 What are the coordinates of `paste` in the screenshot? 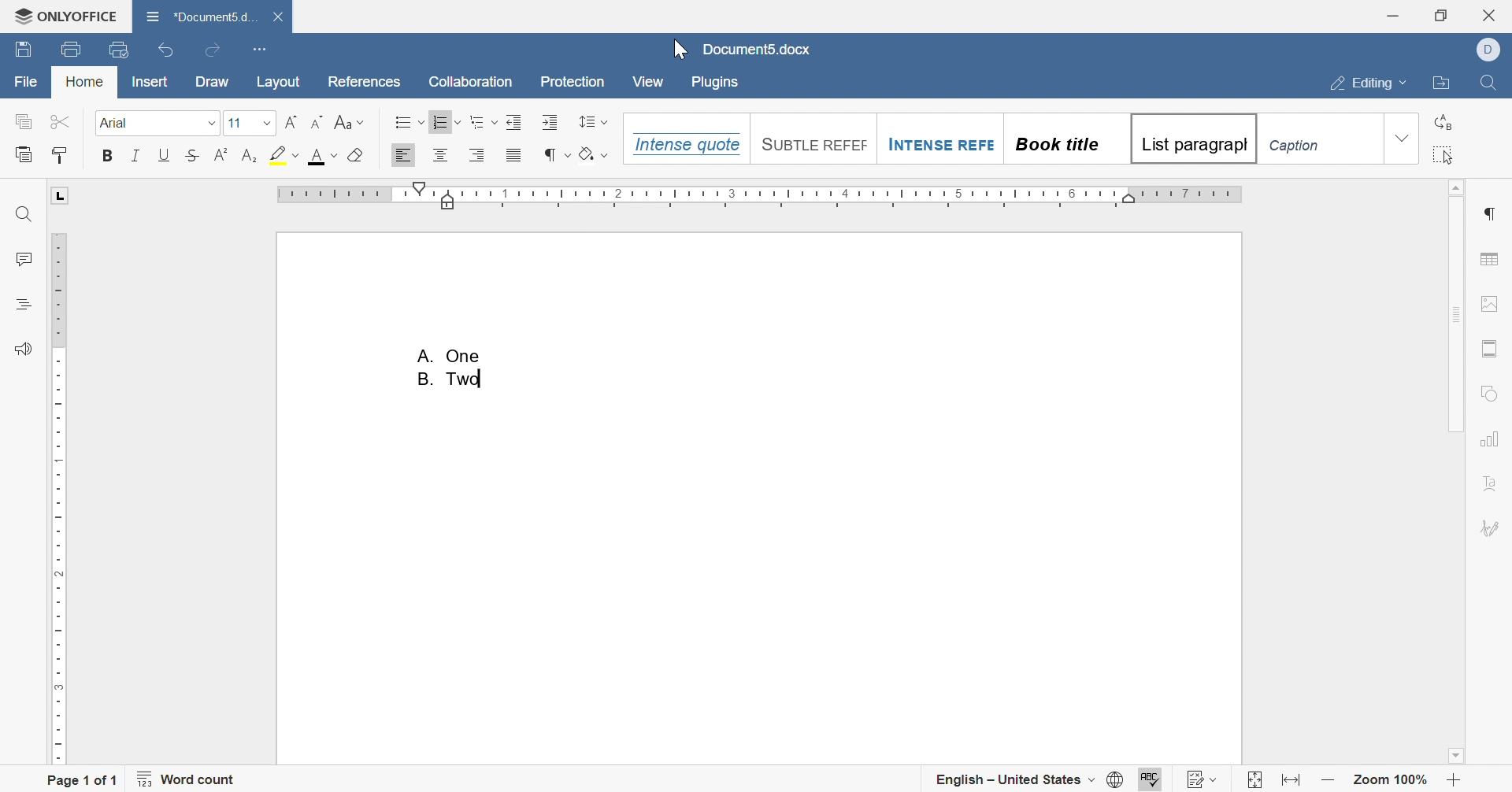 It's located at (23, 153).